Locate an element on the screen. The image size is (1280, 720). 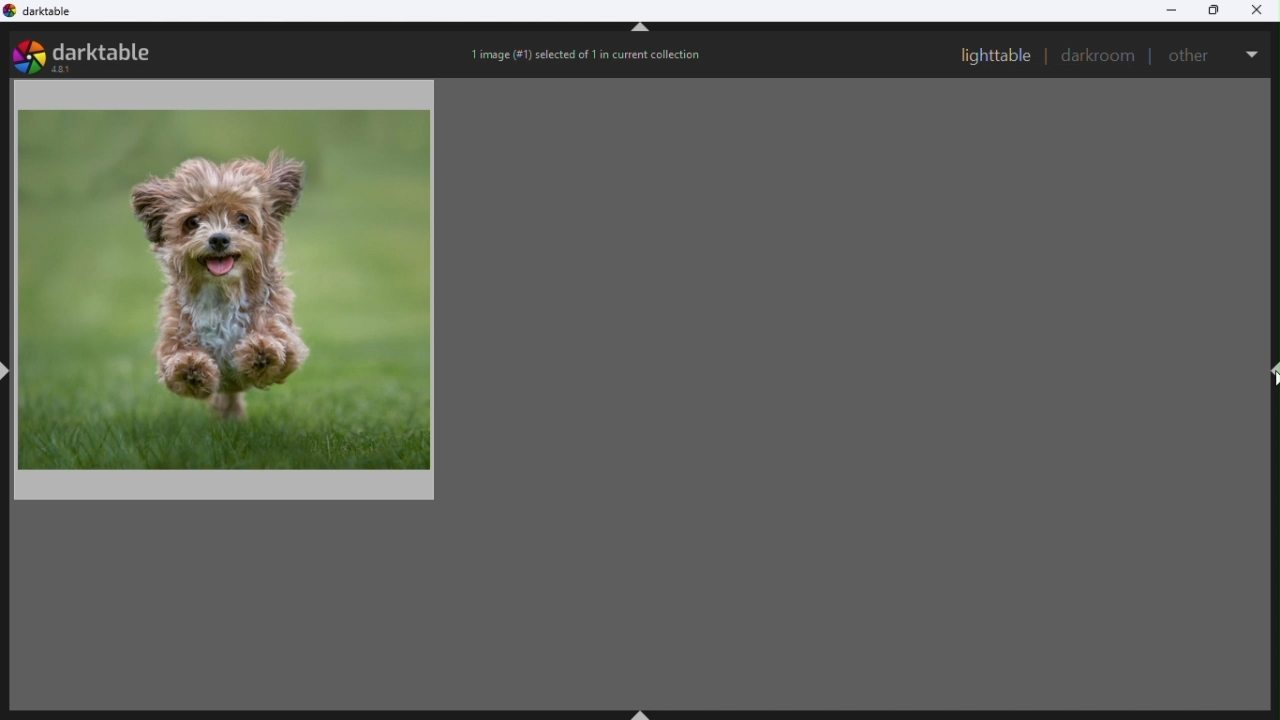
Minimise is located at coordinates (1171, 10).